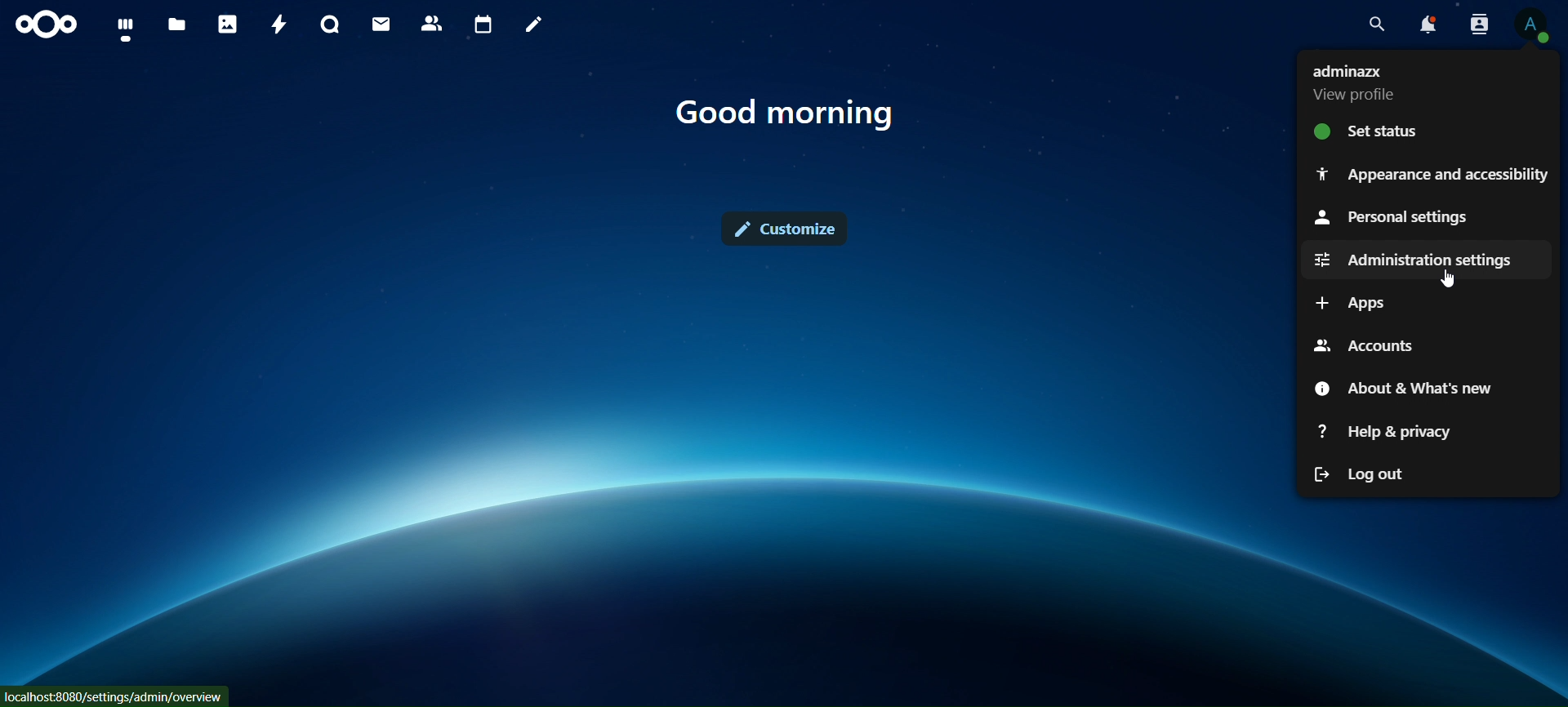 This screenshot has height=707, width=1568. Describe the element at coordinates (1377, 23) in the screenshot. I see `search` at that location.